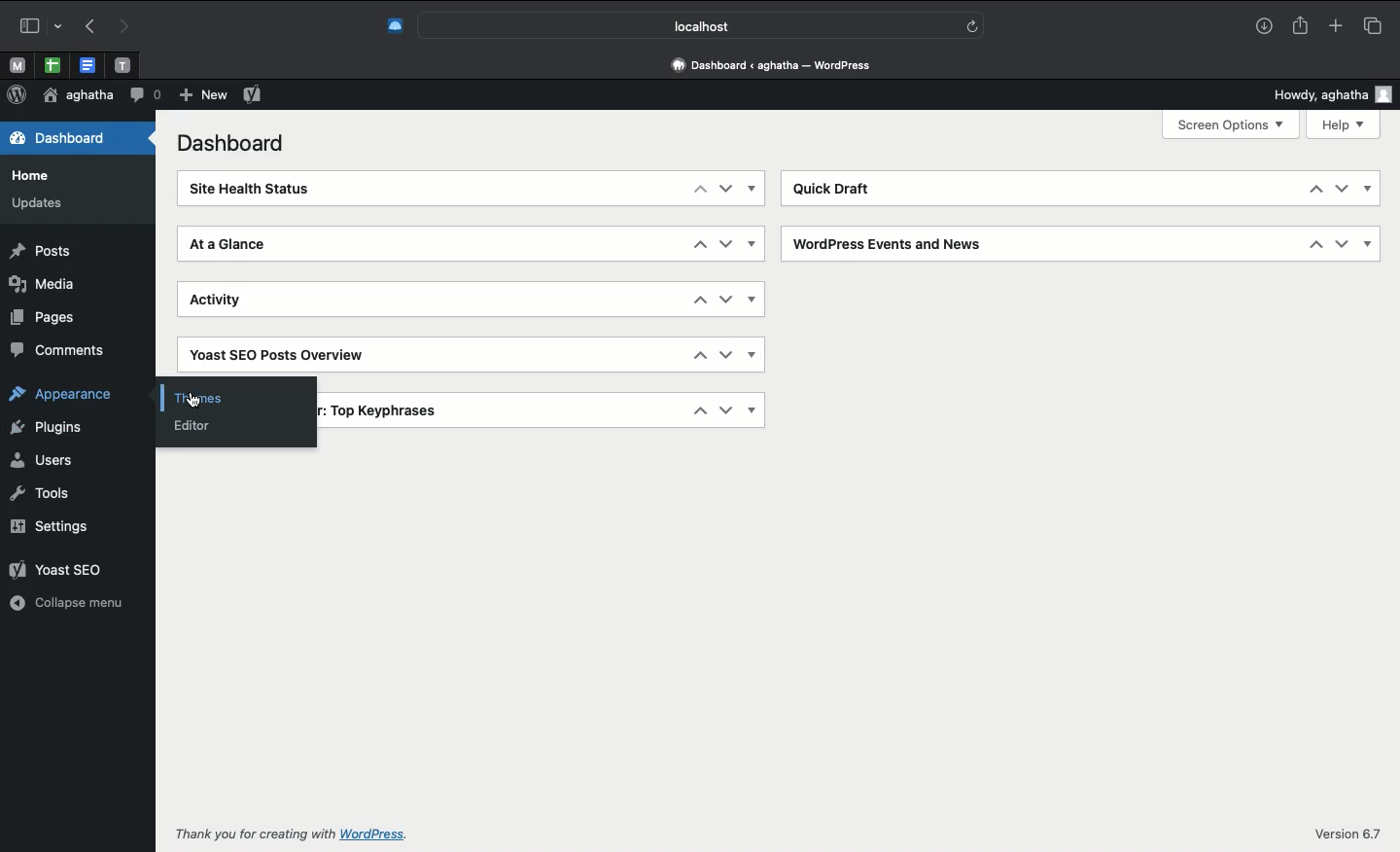 The image size is (1400, 852). Describe the element at coordinates (1350, 834) in the screenshot. I see `Version 6.7` at that location.